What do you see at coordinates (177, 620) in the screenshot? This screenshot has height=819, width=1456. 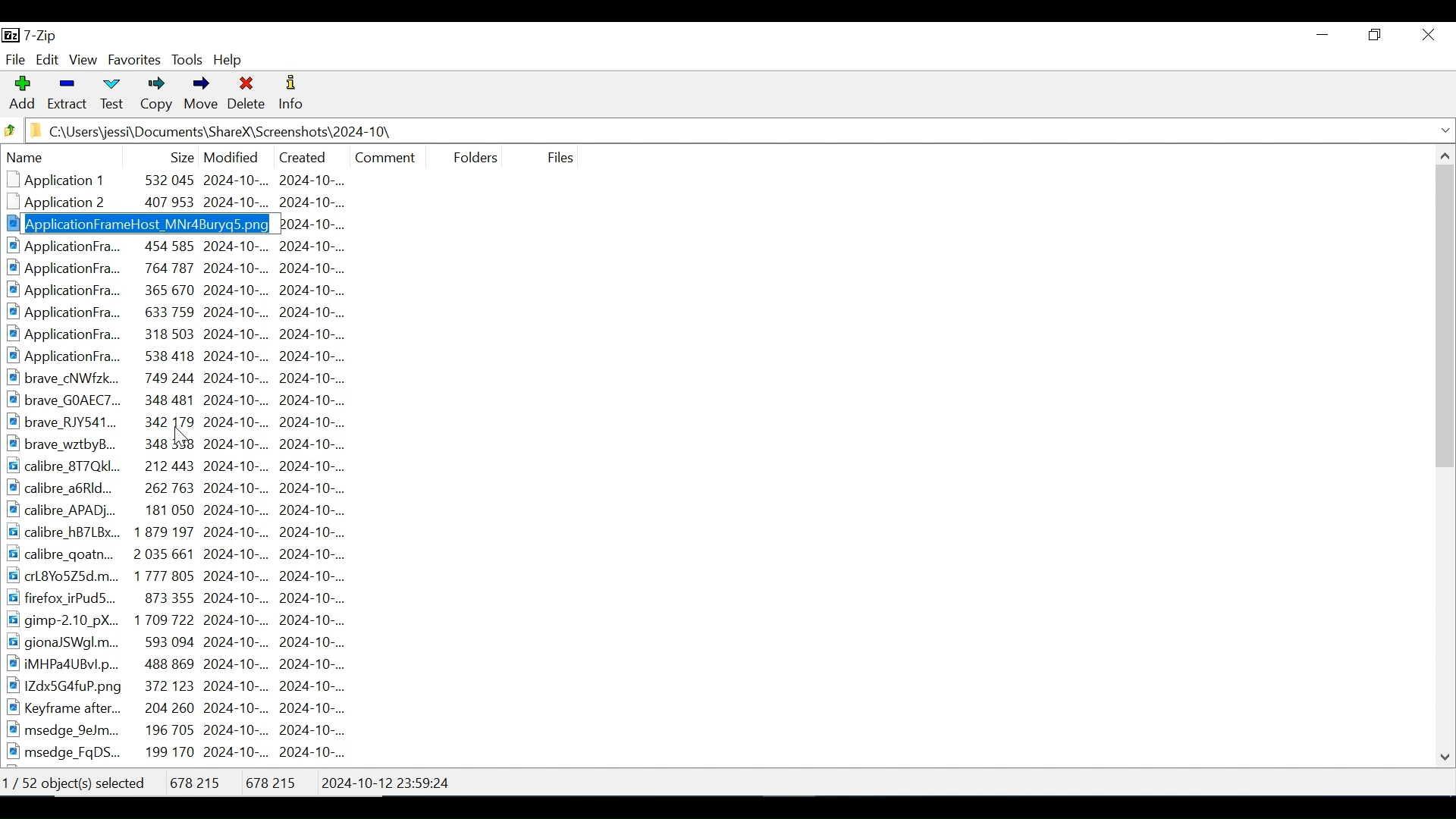 I see `gimp-2.10 pX.. 1709722 2024-10-.. 2024-10-` at bounding box center [177, 620].